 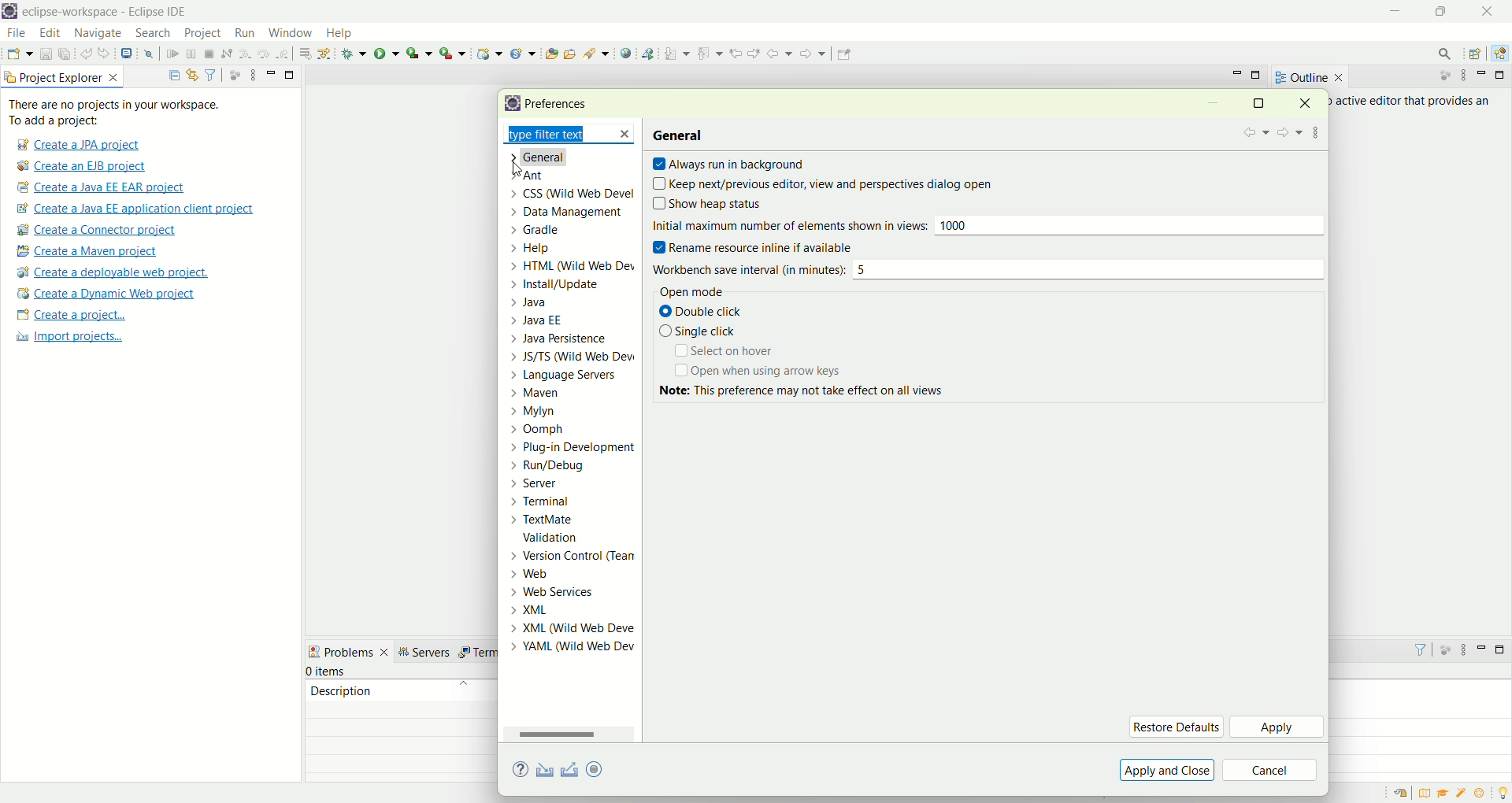 What do you see at coordinates (264, 53) in the screenshot?
I see `step over` at bounding box center [264, 53].